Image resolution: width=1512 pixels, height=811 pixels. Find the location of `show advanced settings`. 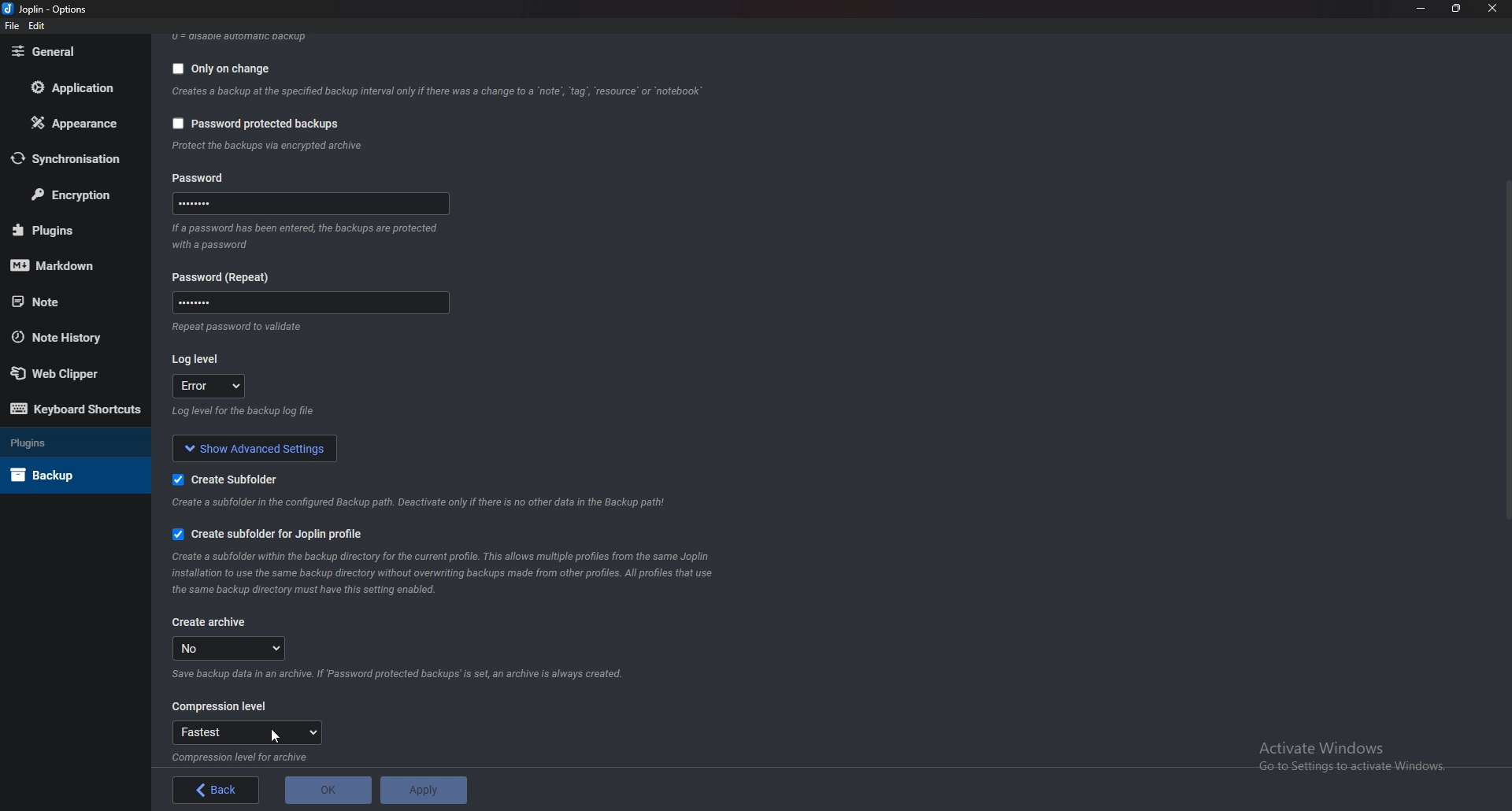

show advanced settings is located at coordinates (255, 449).